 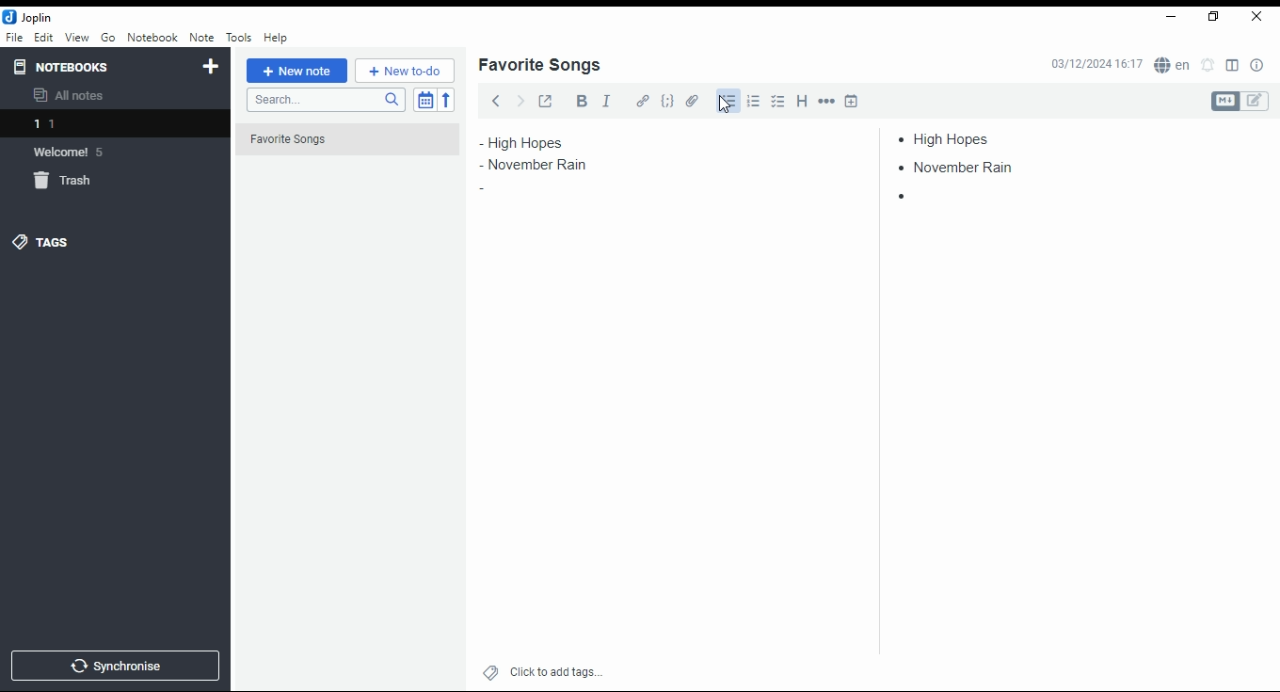 What do you see at coordinates (966, 166) in the screenshot?
I see `november rain` at bounding box center [966, 166].